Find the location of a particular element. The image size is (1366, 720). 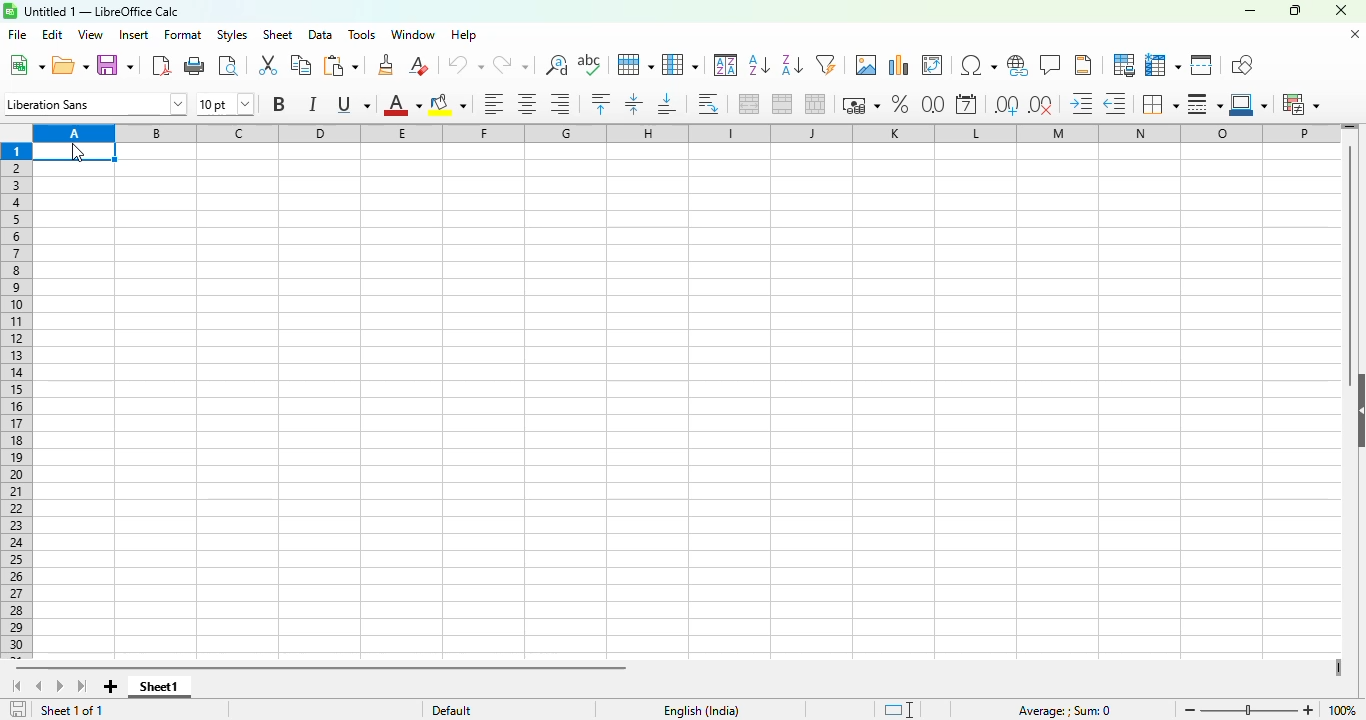

headers and footers is located at coordinates (1083, 65).